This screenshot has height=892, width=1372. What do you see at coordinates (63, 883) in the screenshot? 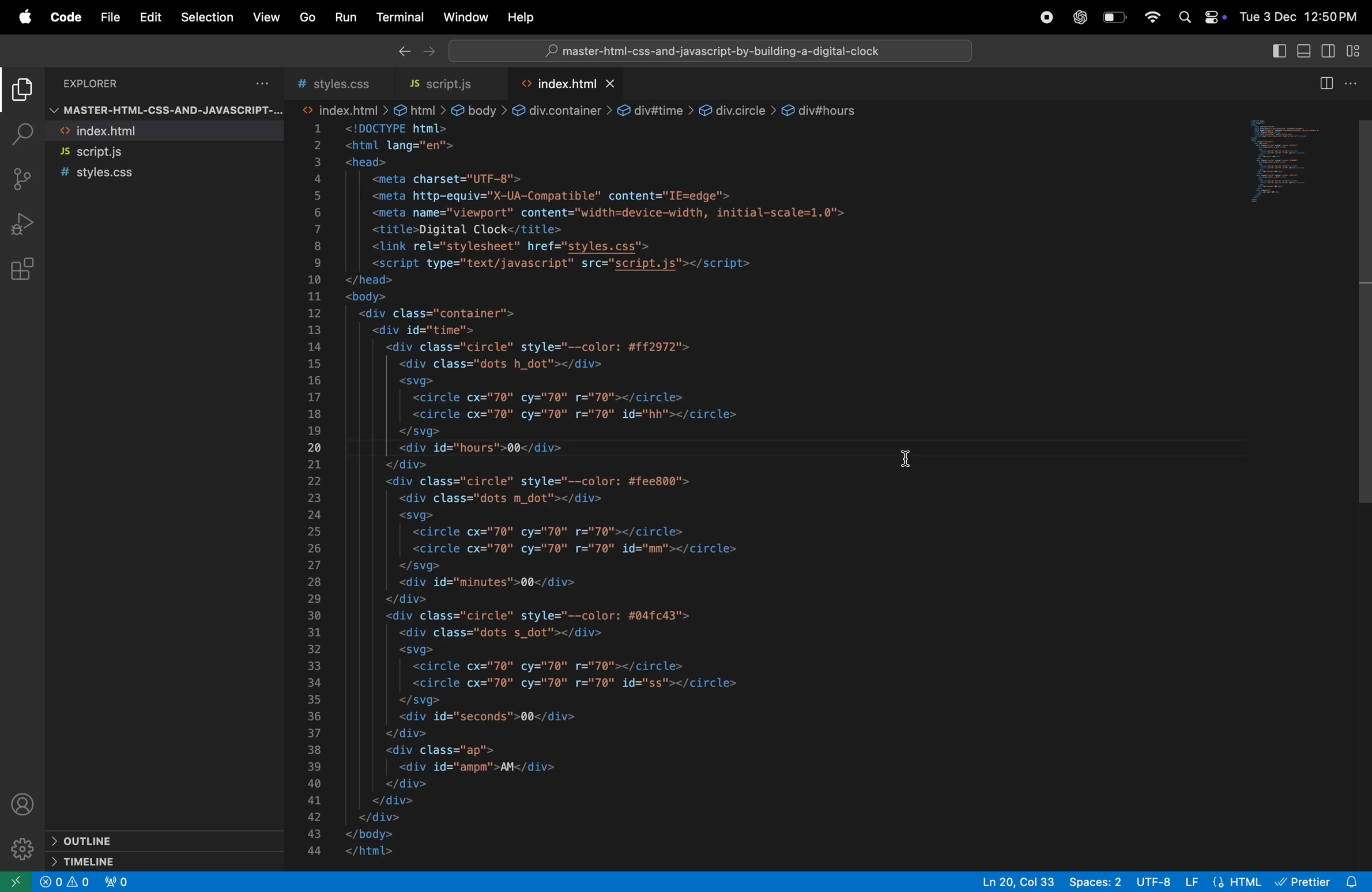
I see `no problems` at bounding box center [63, 883].